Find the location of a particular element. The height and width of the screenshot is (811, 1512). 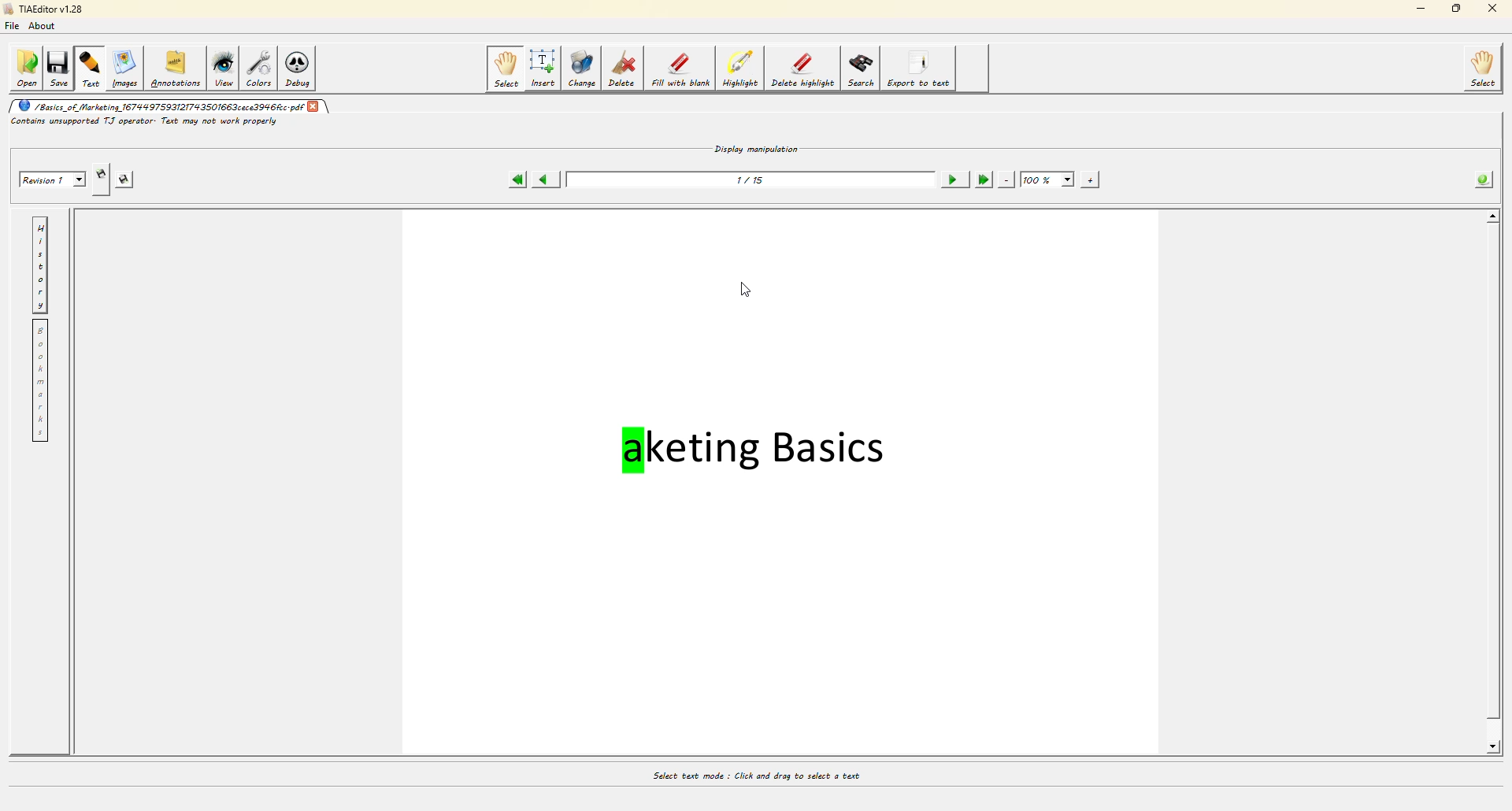

error info is located at coordinates (140, 122).